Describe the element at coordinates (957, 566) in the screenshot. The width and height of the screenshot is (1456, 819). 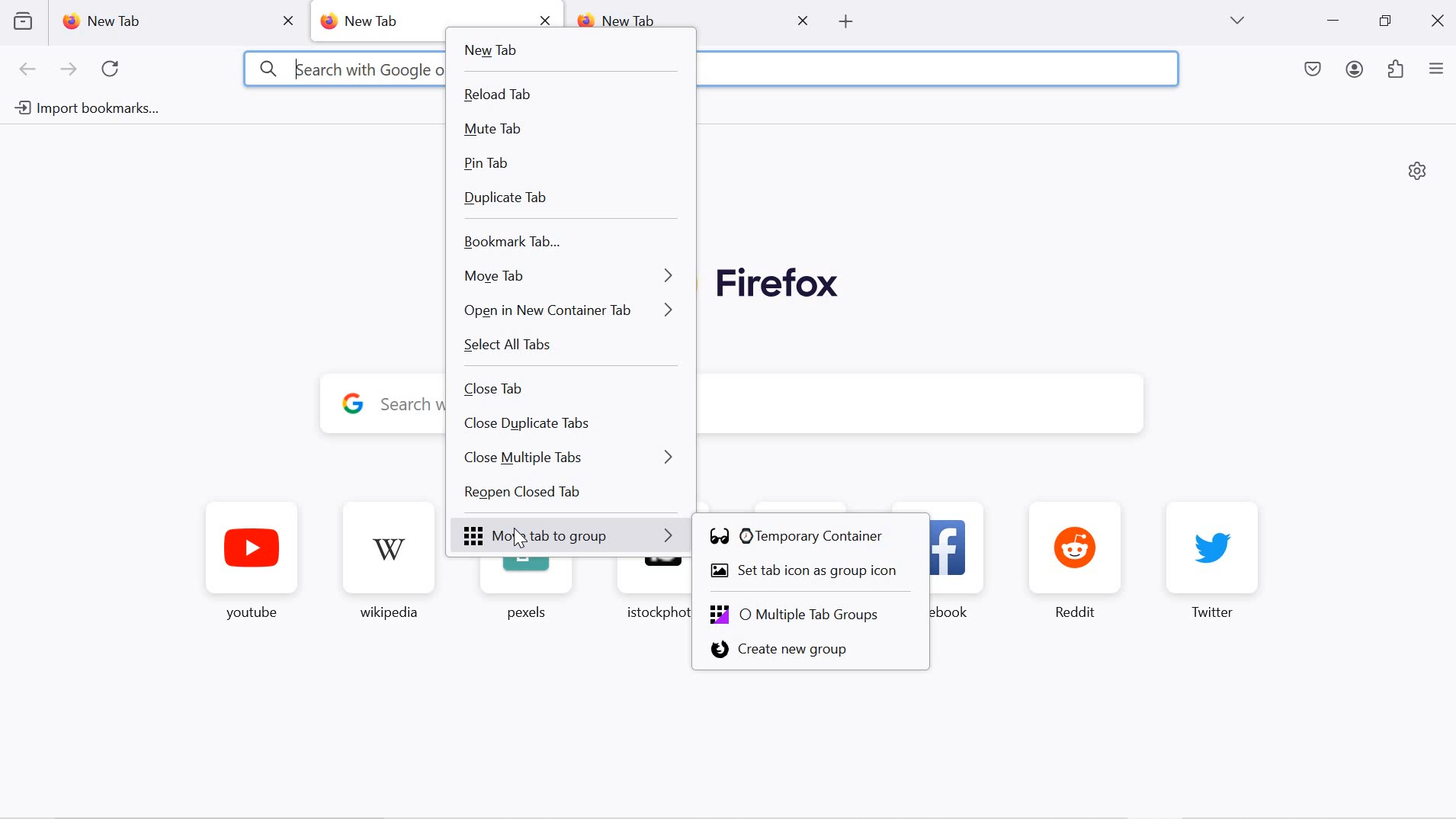
I see `facebook favorite` at that location.